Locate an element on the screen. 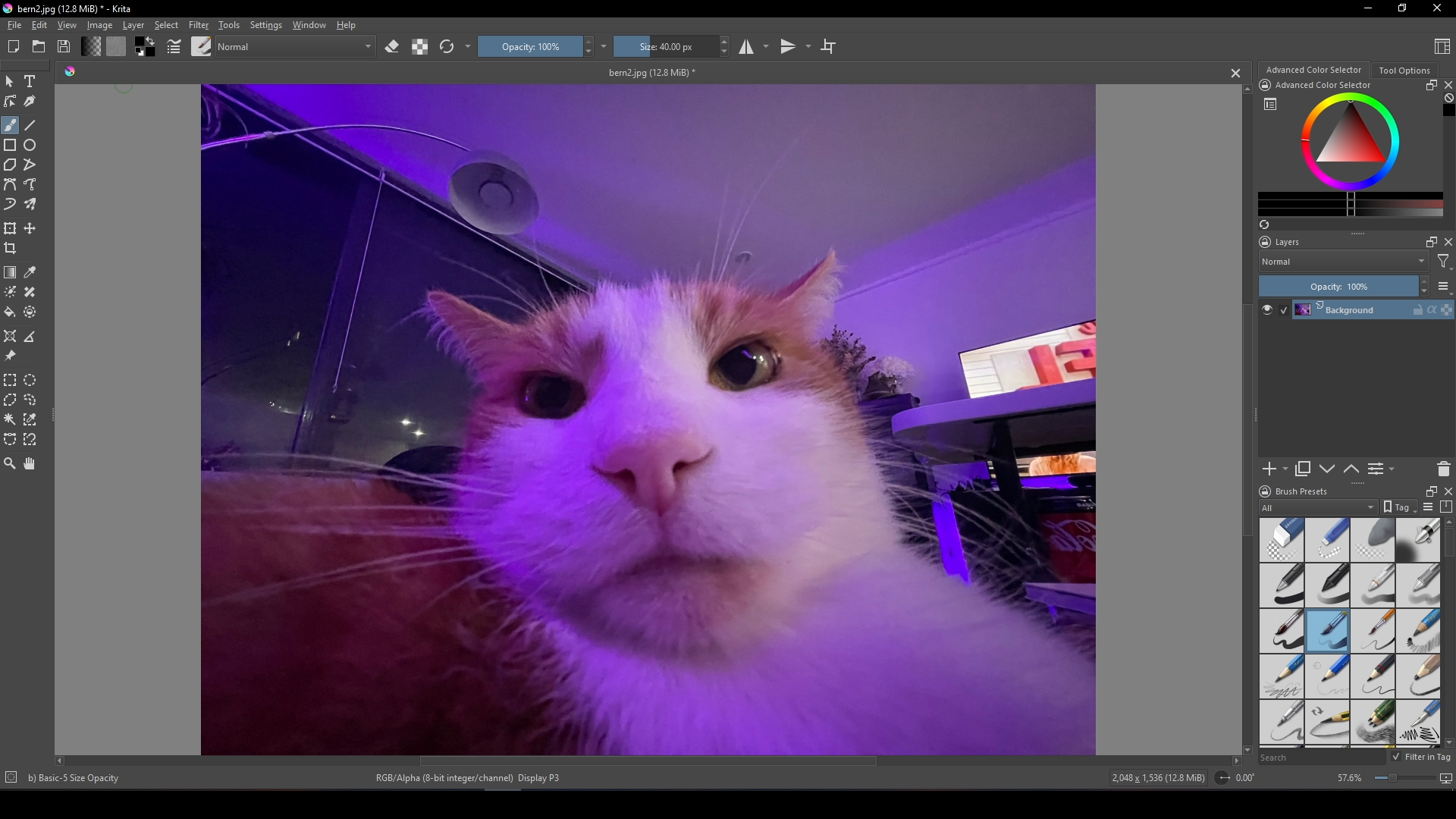 This screenshot has height=819, width=1456. Dynamic brush tool is located at coordinates (11, 203).